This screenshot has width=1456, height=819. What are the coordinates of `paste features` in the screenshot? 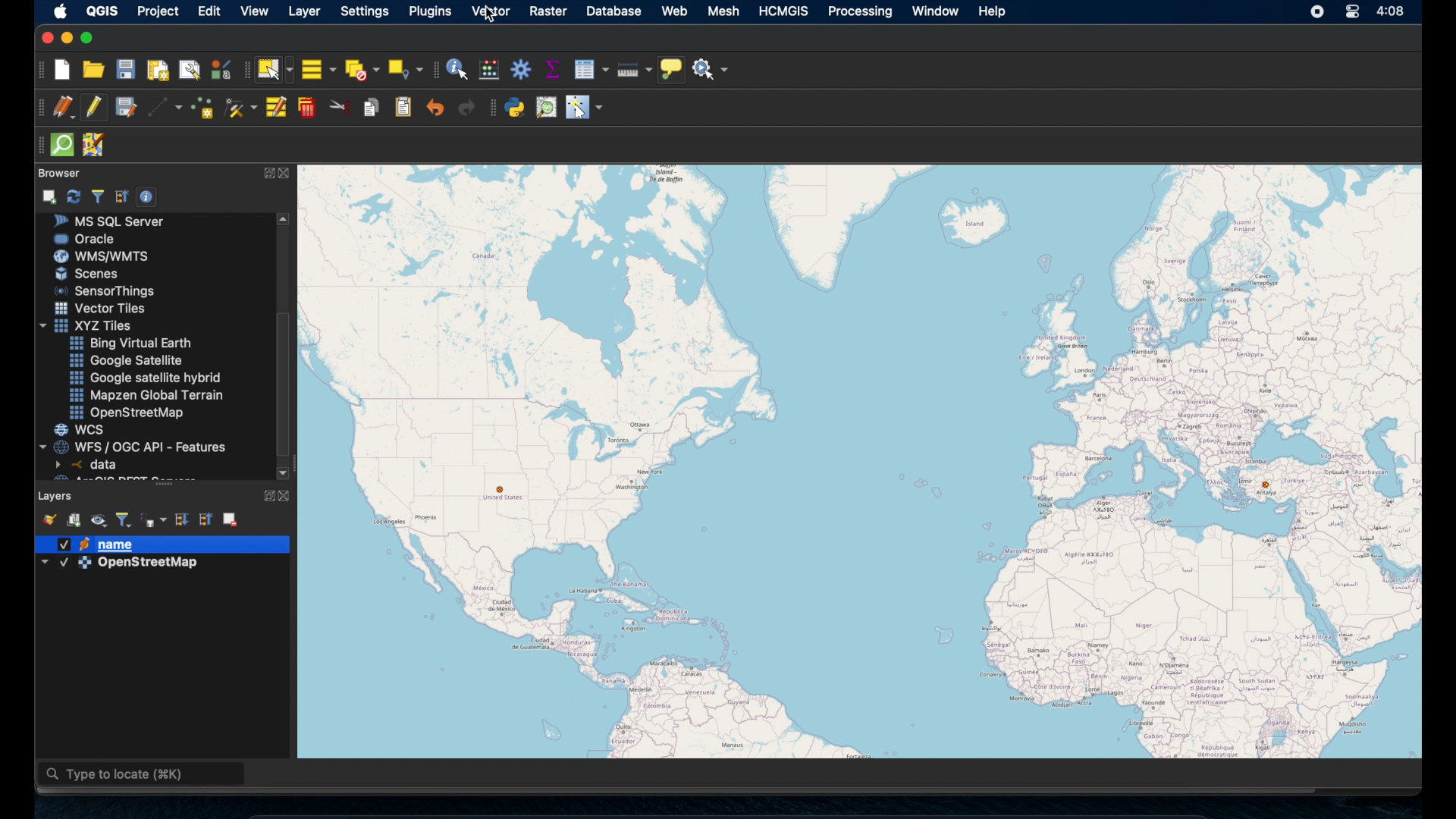 It's located at (403, 106).